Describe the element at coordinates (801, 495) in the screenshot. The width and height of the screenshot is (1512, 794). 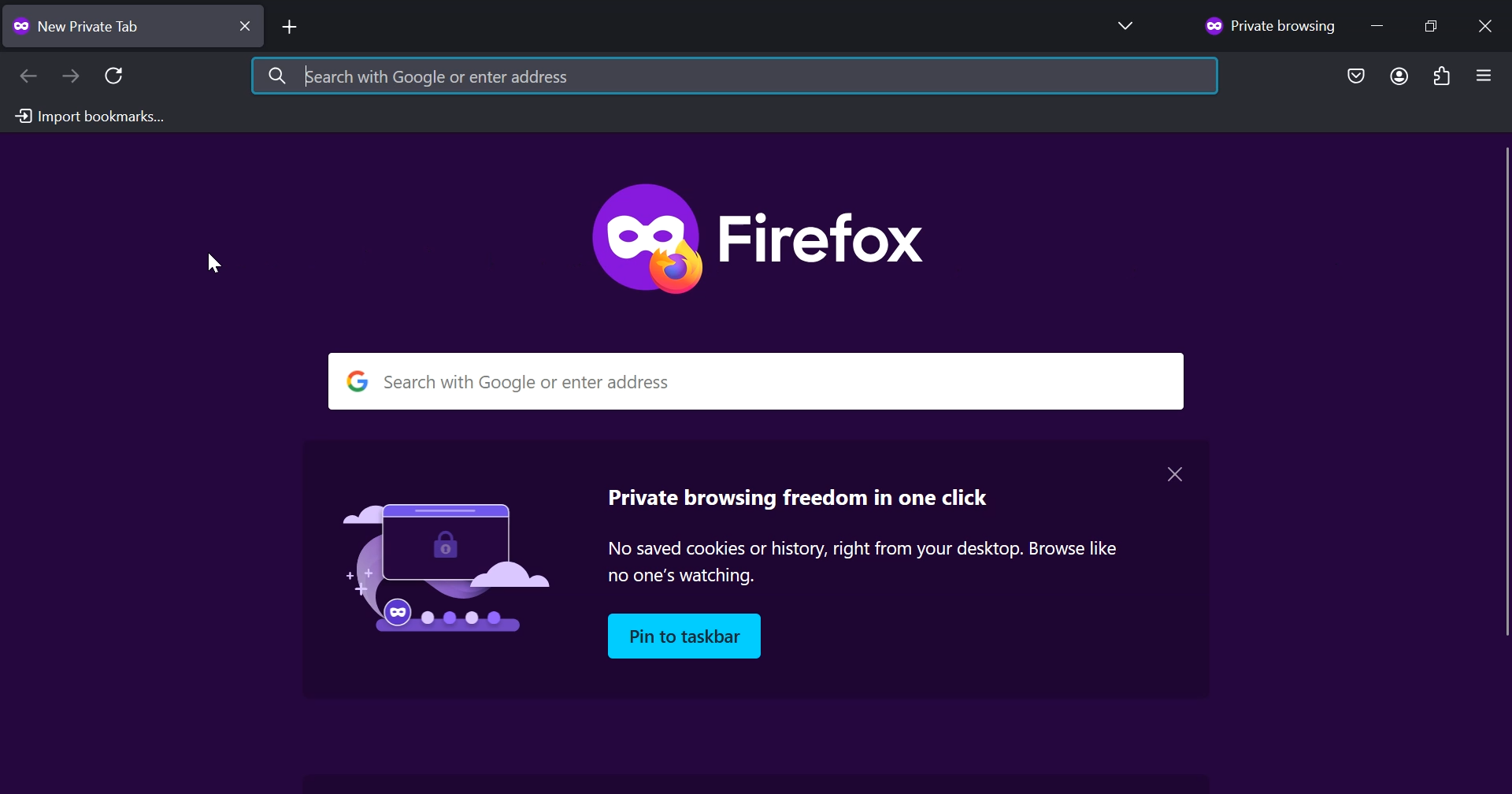
I see `private browsing freedom in one click` at that location.